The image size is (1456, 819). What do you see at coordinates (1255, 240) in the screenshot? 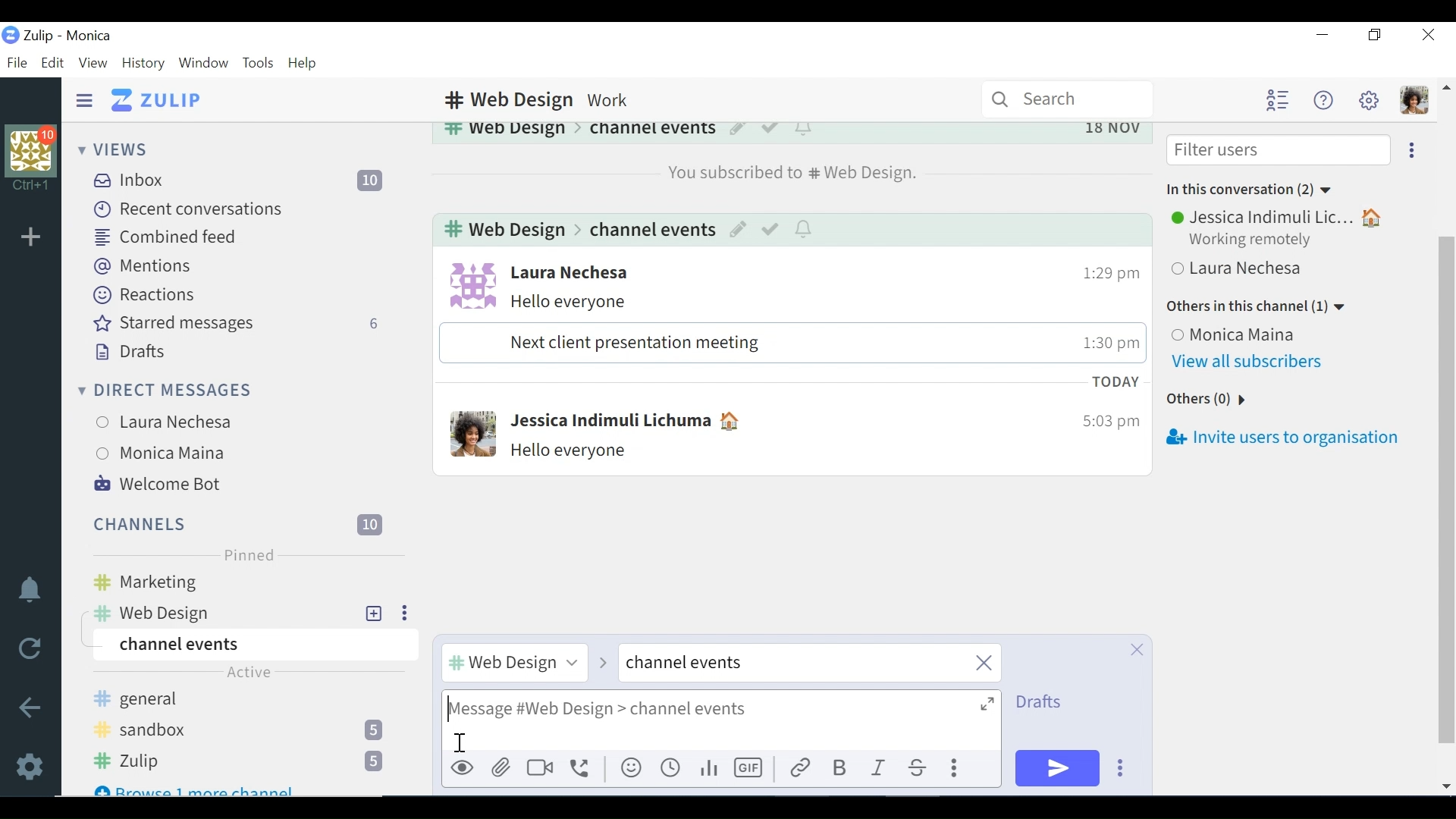
I see `Working Remotely status` at bounding box center [1255, 240].